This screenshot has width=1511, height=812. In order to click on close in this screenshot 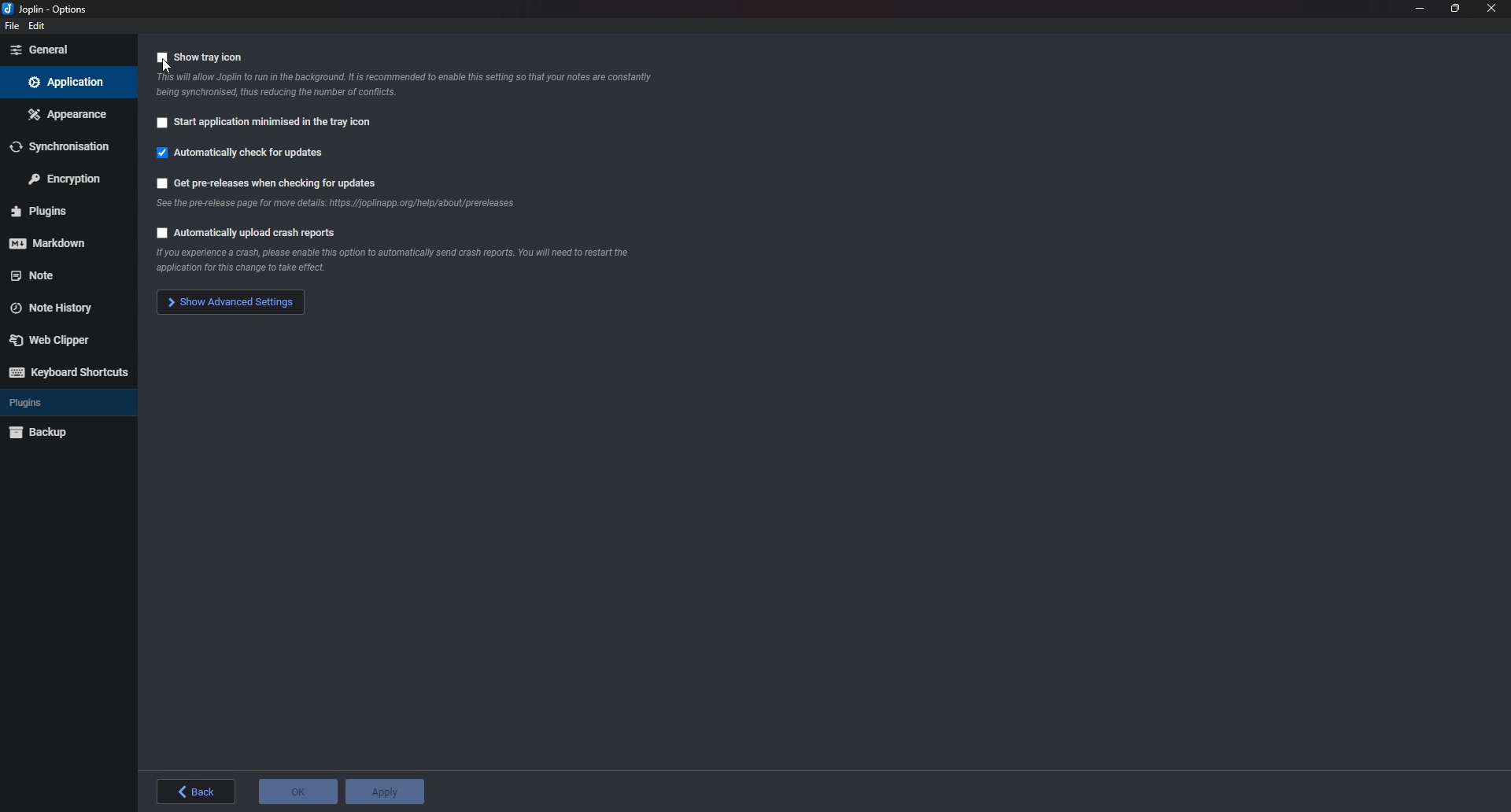, I will do `click(1491, 9)`.